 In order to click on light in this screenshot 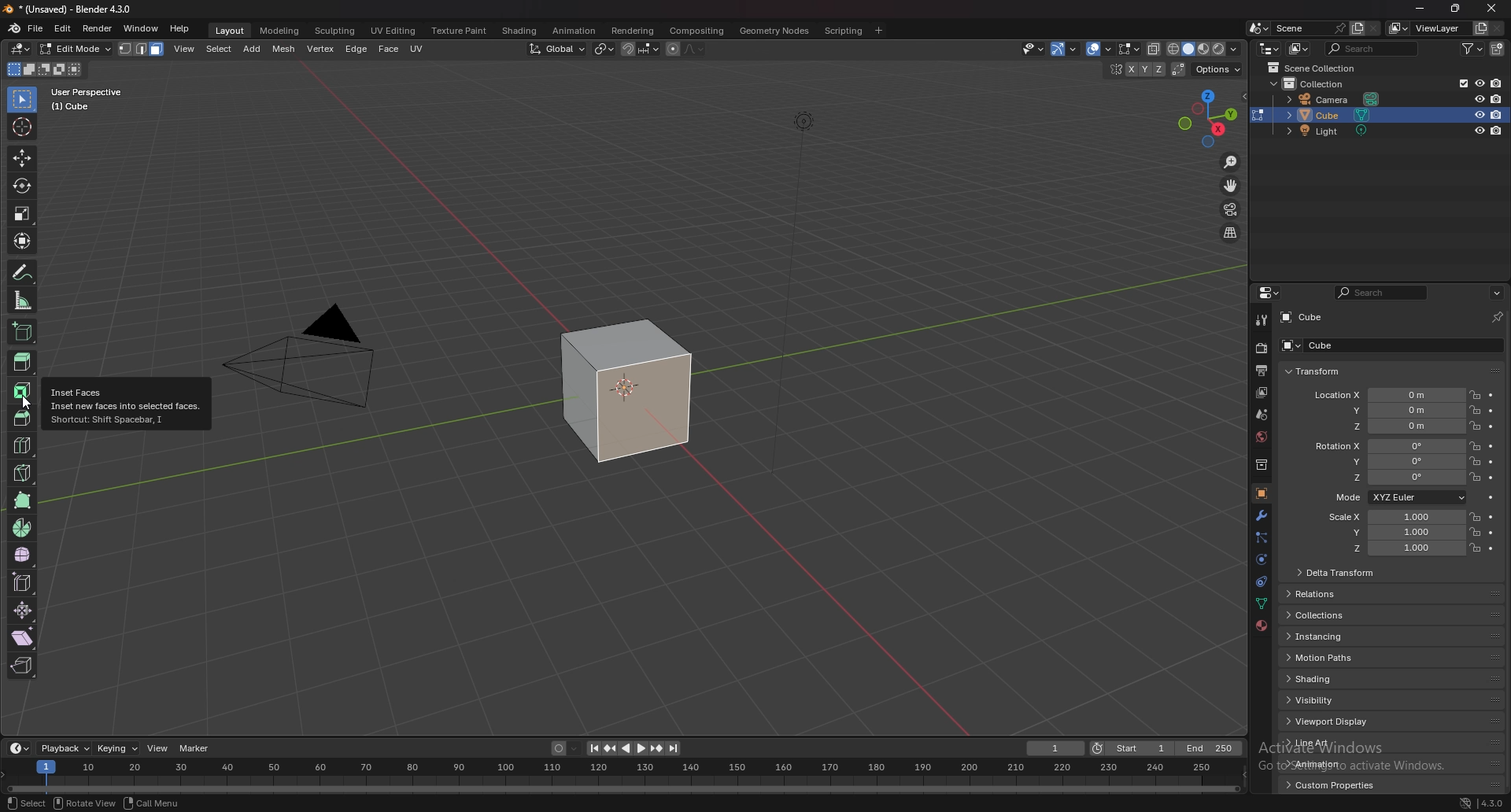, I will do `click(1332, 131)`.